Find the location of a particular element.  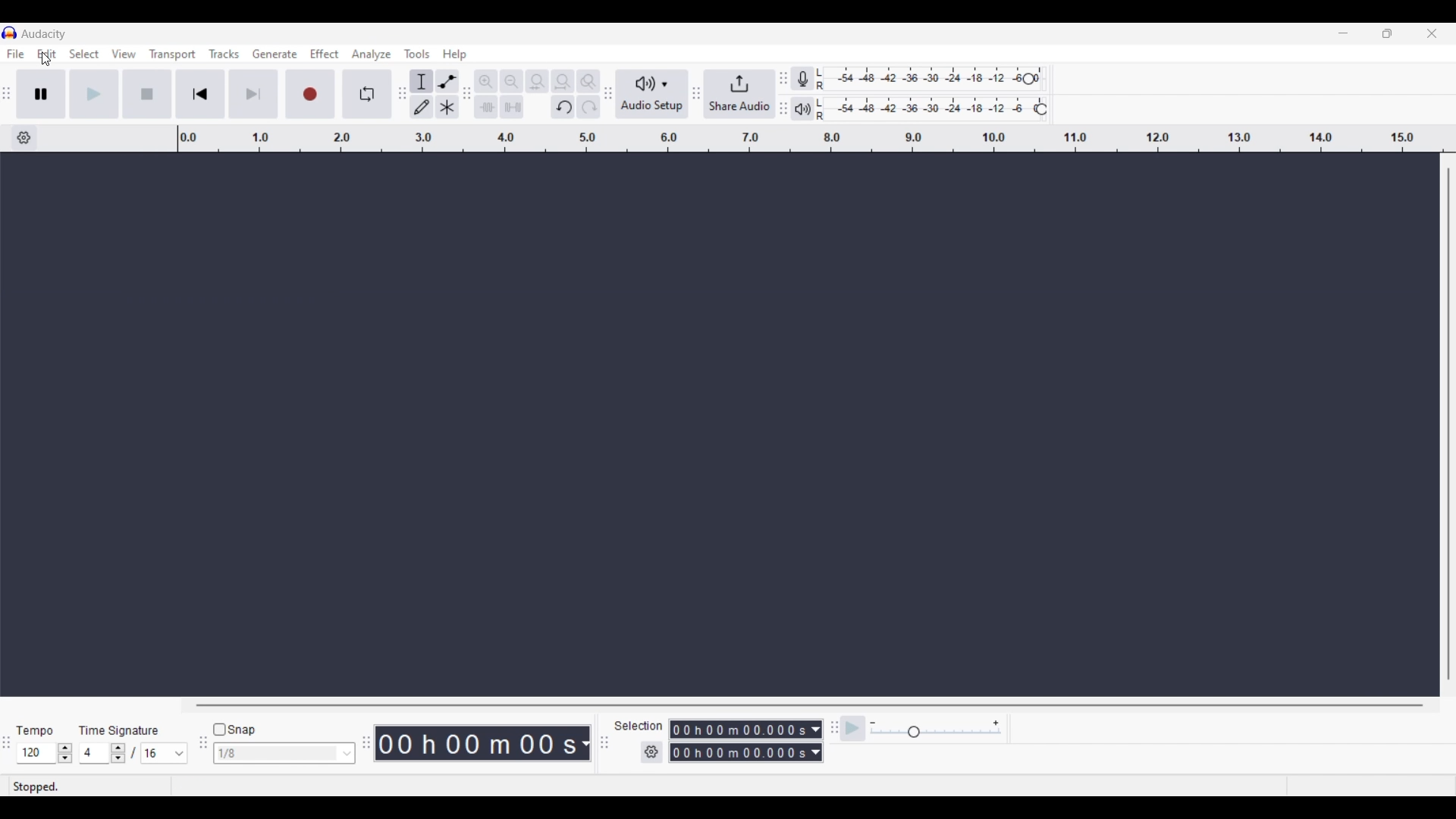

Analyze menu is located at coordinates (372, 54).